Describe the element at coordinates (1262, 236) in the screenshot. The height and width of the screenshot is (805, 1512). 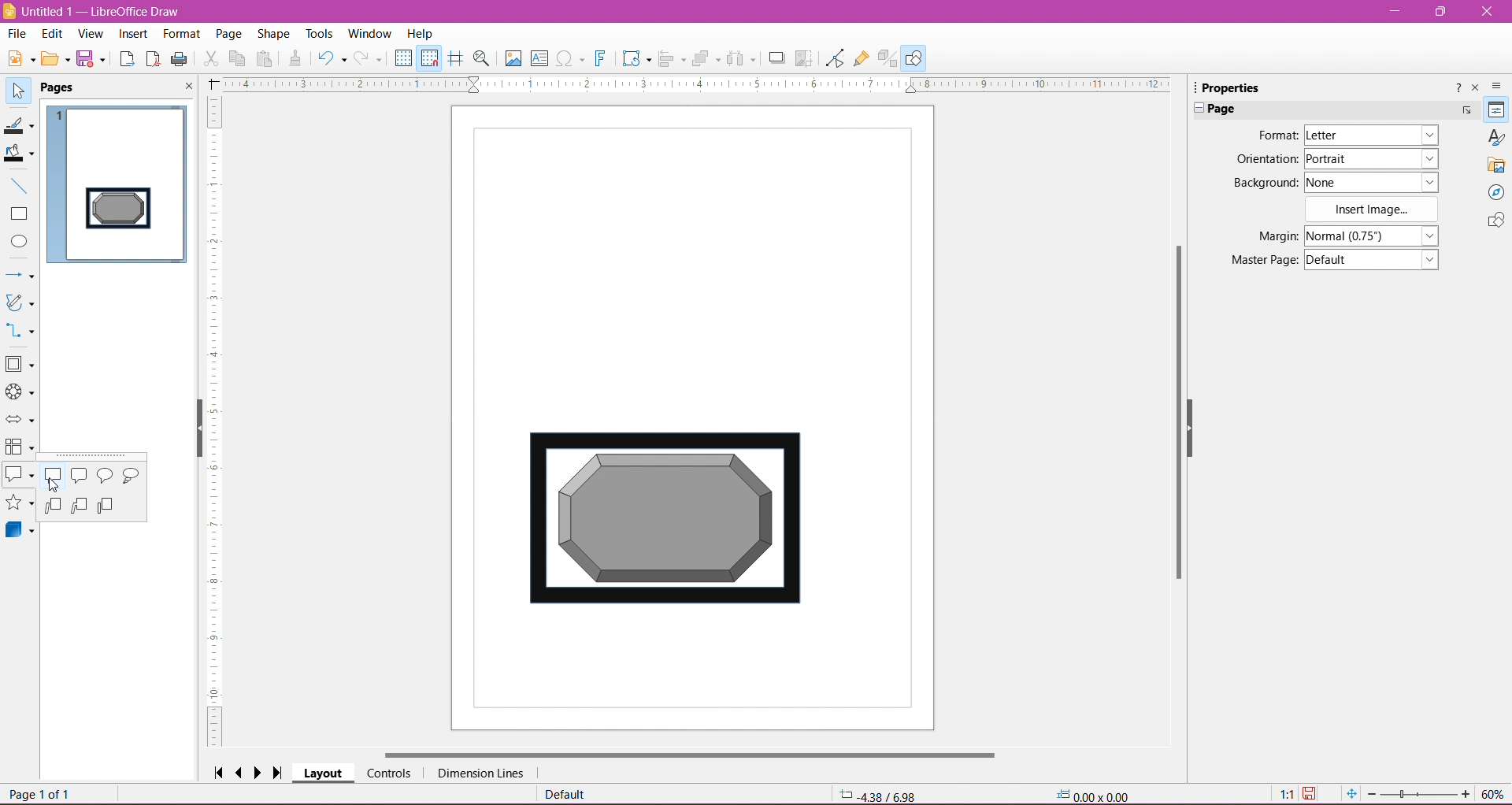
I see `Margin` at that location.